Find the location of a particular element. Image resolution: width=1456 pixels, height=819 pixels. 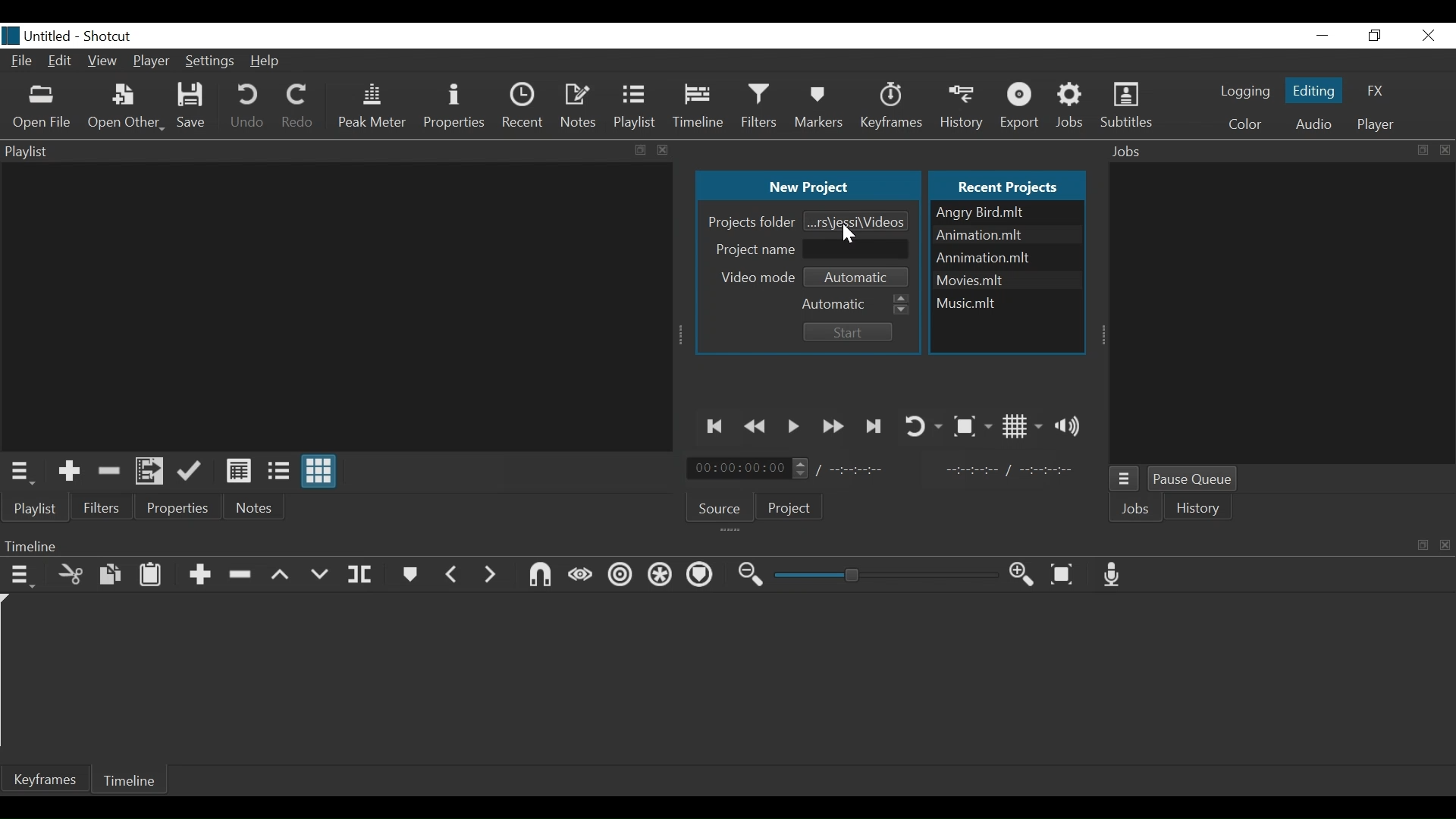

Markers is located at coordinates (821, 106).